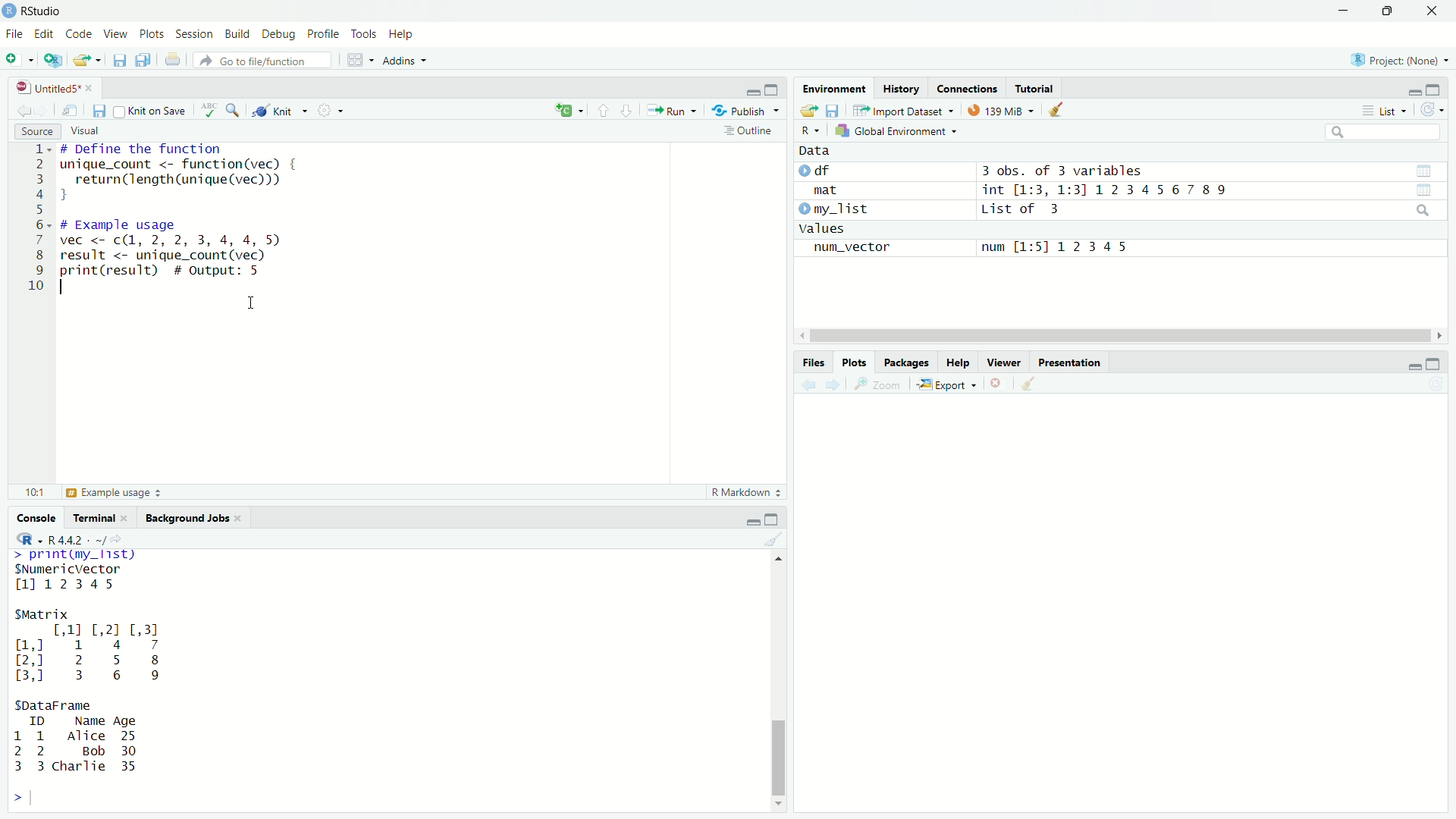  What do you see at coordinates (239, 35) in the screenshot?
I see `Build` at bounding box center [239, 35].